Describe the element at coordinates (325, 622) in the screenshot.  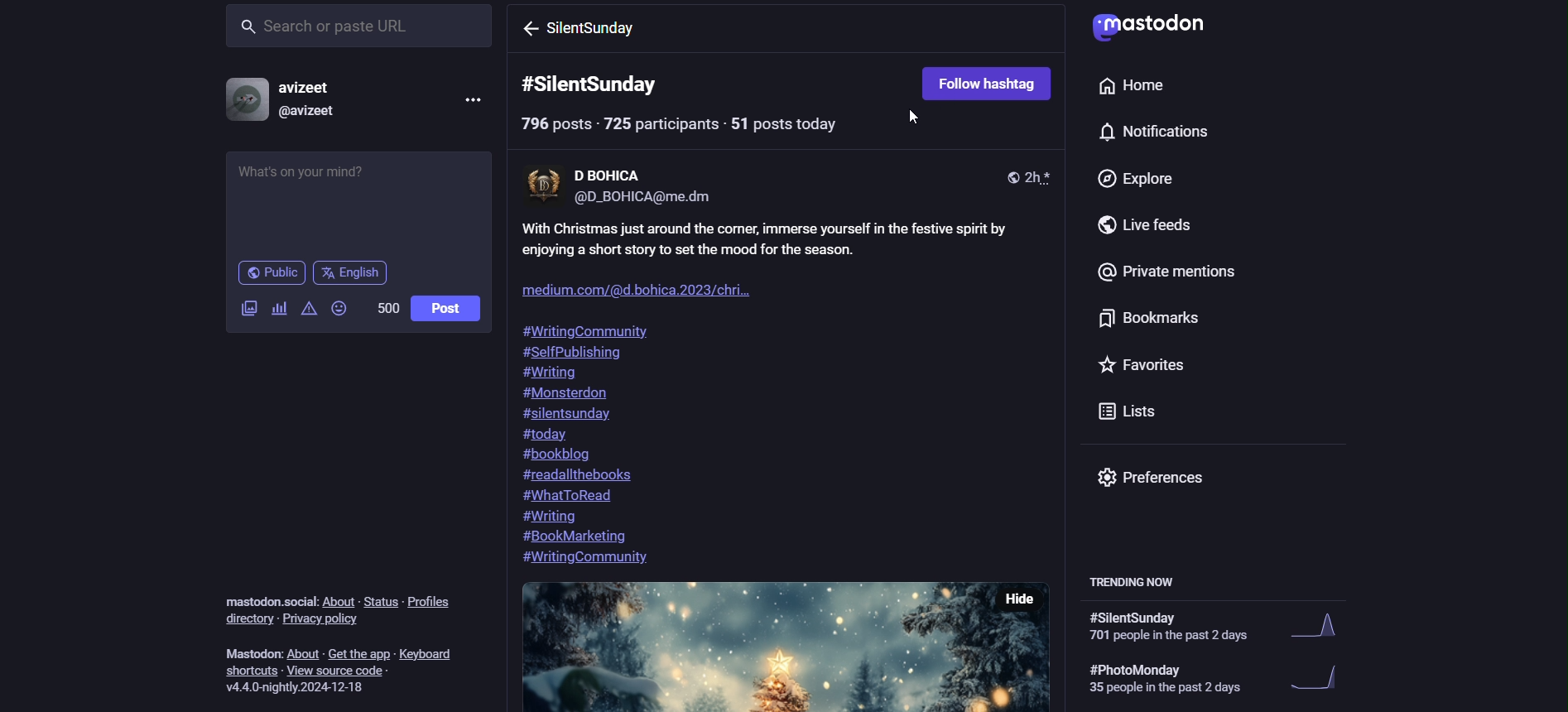
I see `privacy policy` at that location.